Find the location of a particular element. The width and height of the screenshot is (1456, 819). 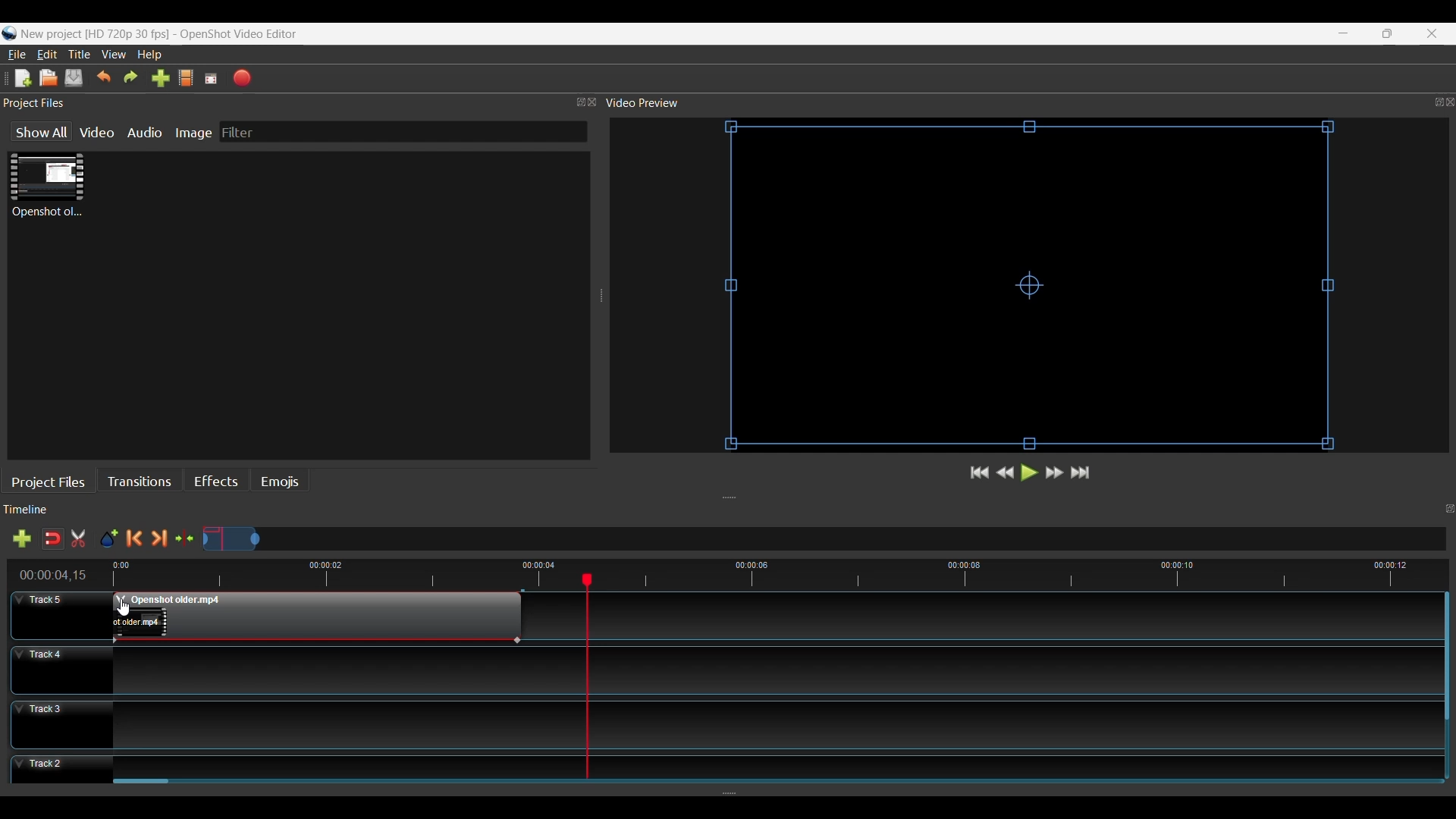

View is located at coordinates (115, 55).